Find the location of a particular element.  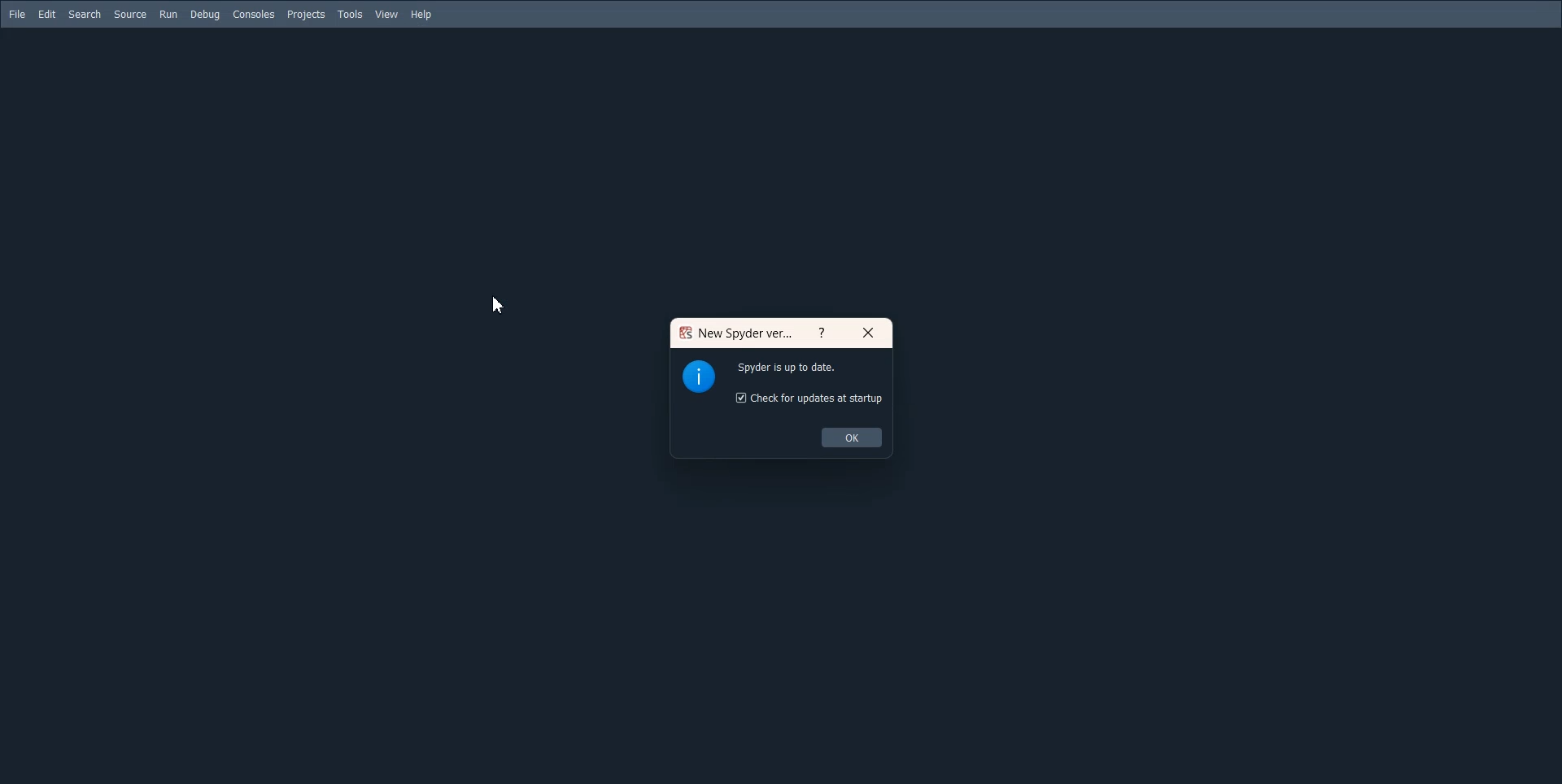

Close is located at coordinates (870, 333).